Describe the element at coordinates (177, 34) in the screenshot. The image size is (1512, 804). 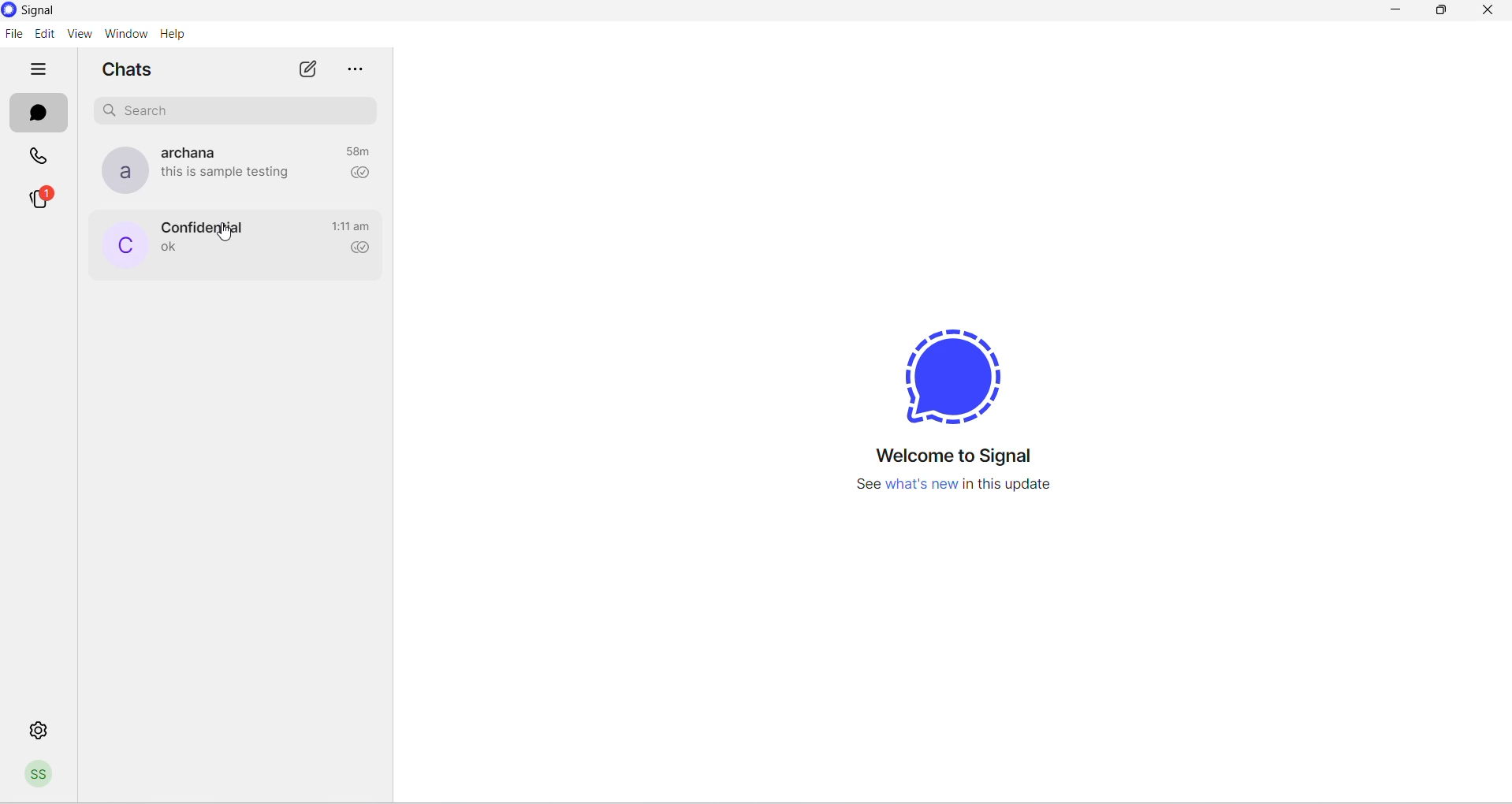
I see `help` at that location.